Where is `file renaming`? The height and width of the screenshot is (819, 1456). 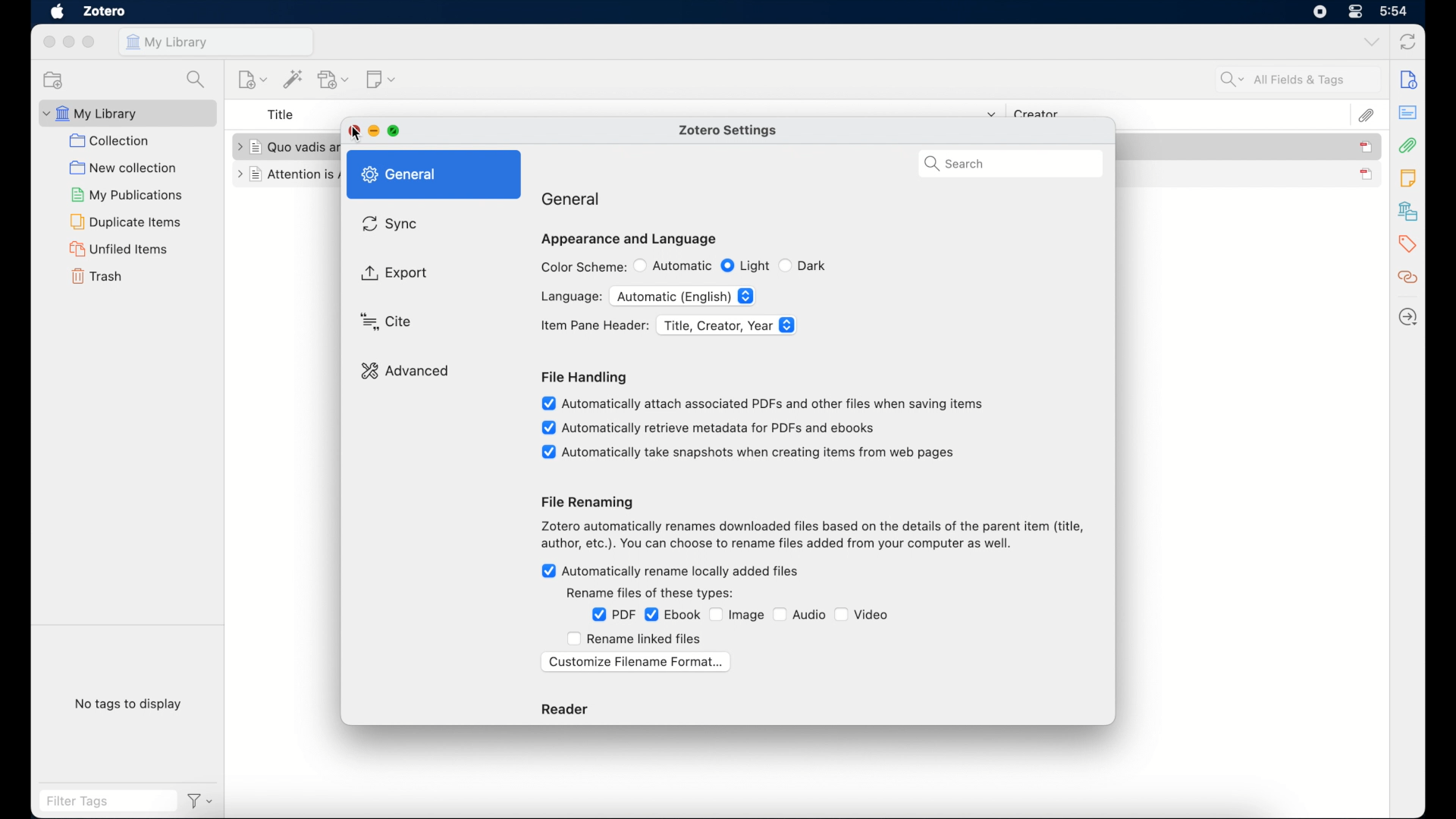 file renaming is located at coordinates (589, 502).